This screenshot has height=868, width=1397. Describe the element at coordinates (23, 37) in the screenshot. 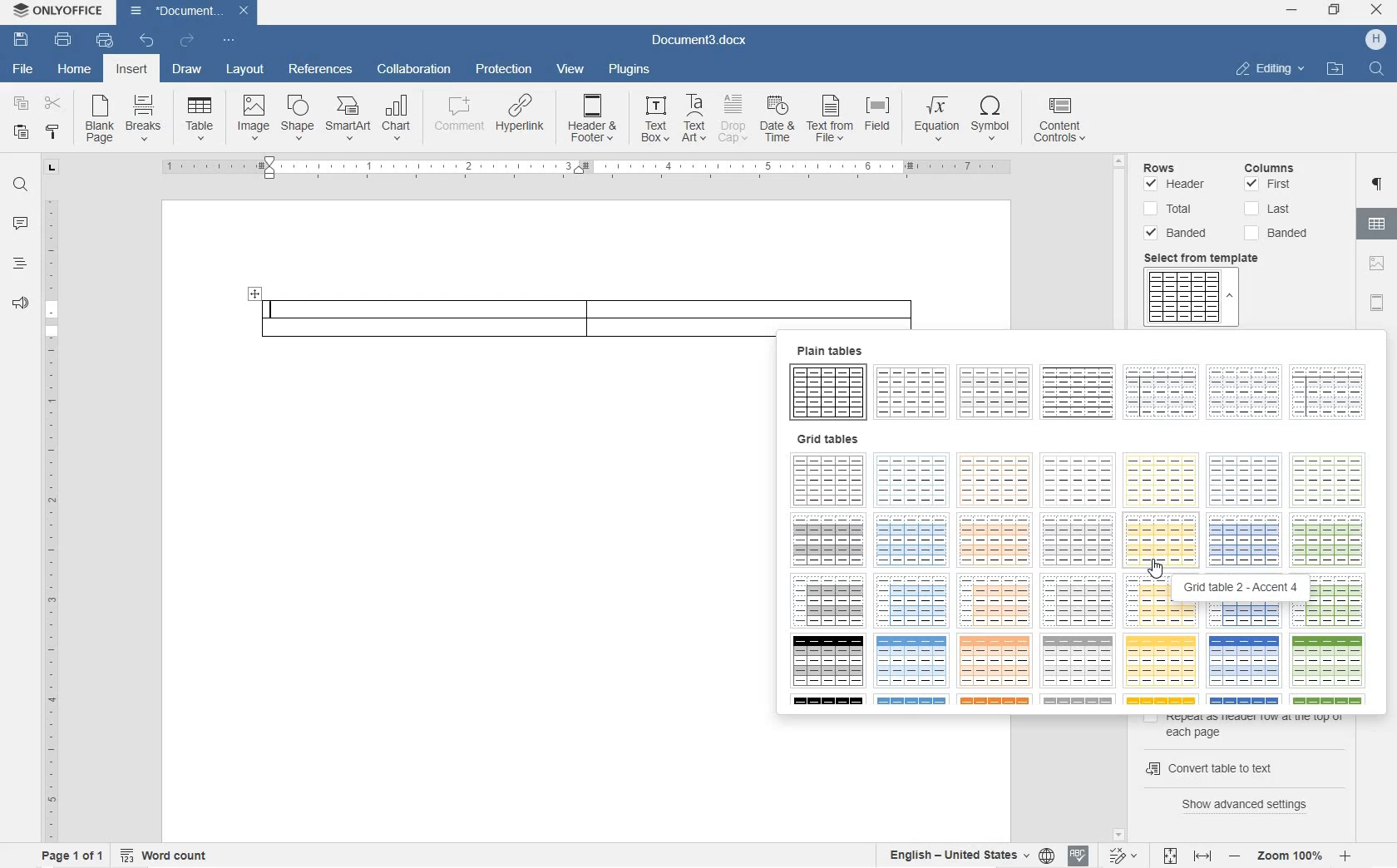

I see `SAVE` at that location.